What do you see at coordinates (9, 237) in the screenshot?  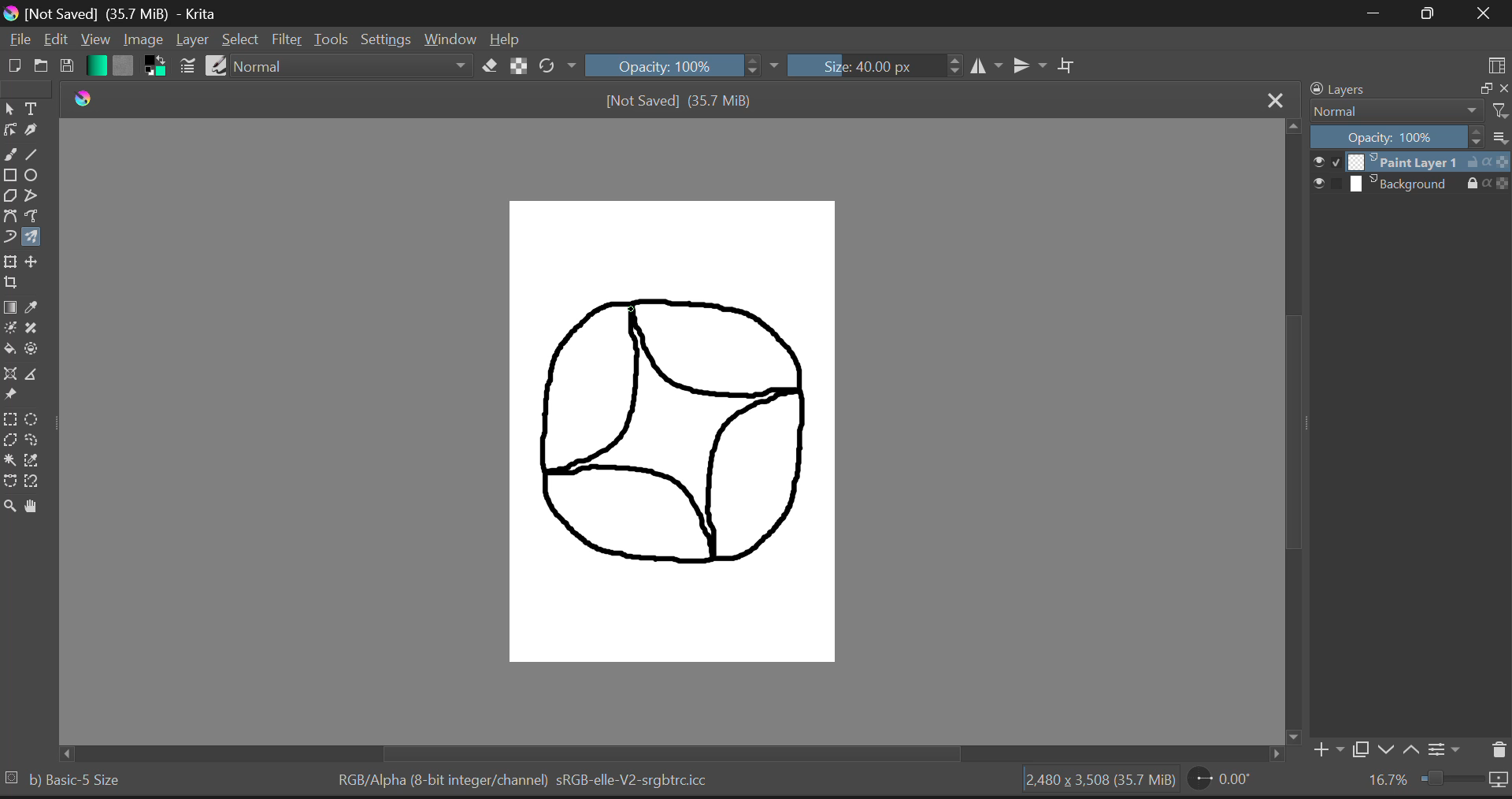 I see `Dynamic Brush` at bounding box center [9, 237].